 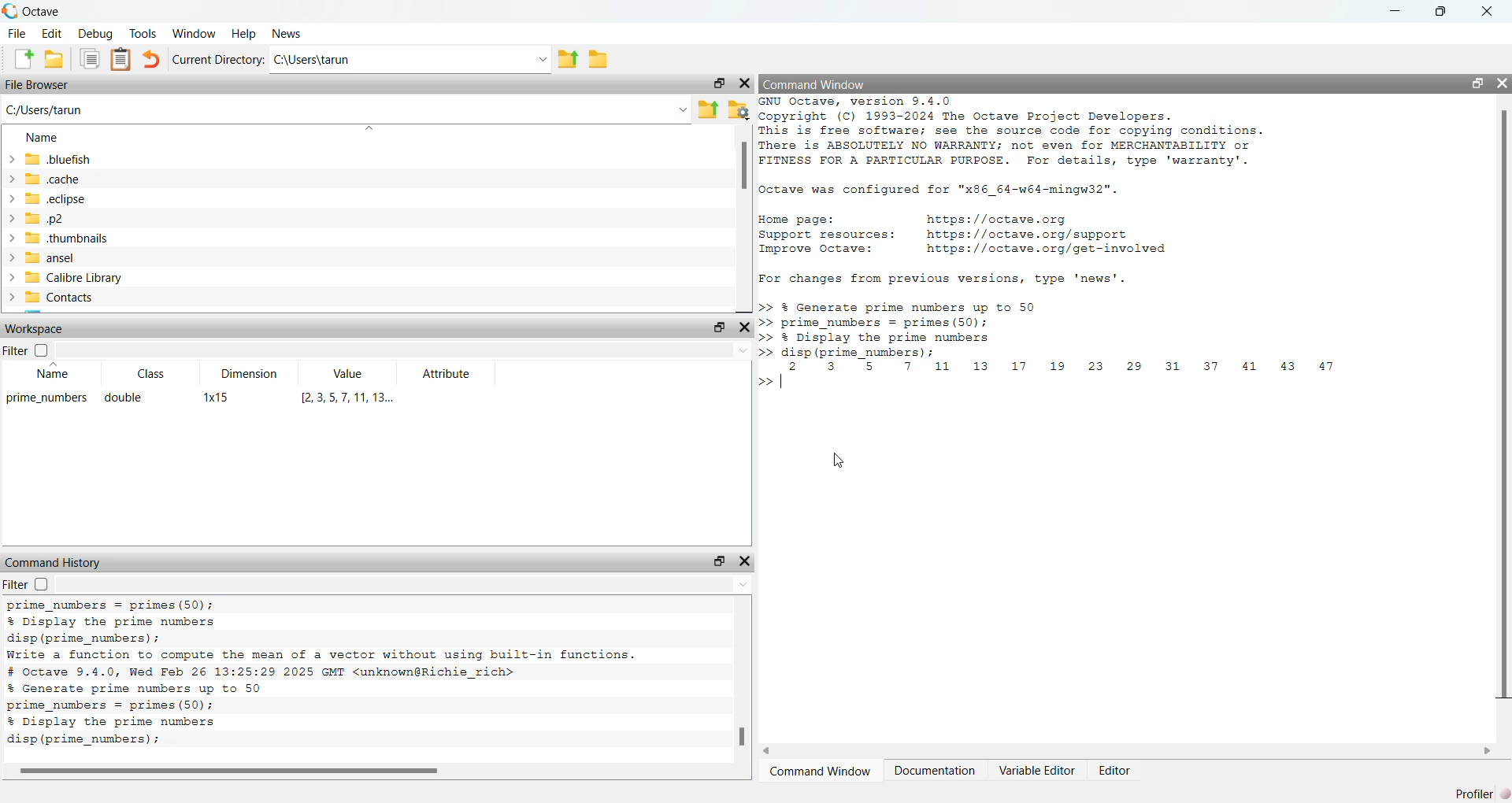 What do you see at coordinates (243, 35) in the screenshot?
I see `help` at bounding box center [243, 35].